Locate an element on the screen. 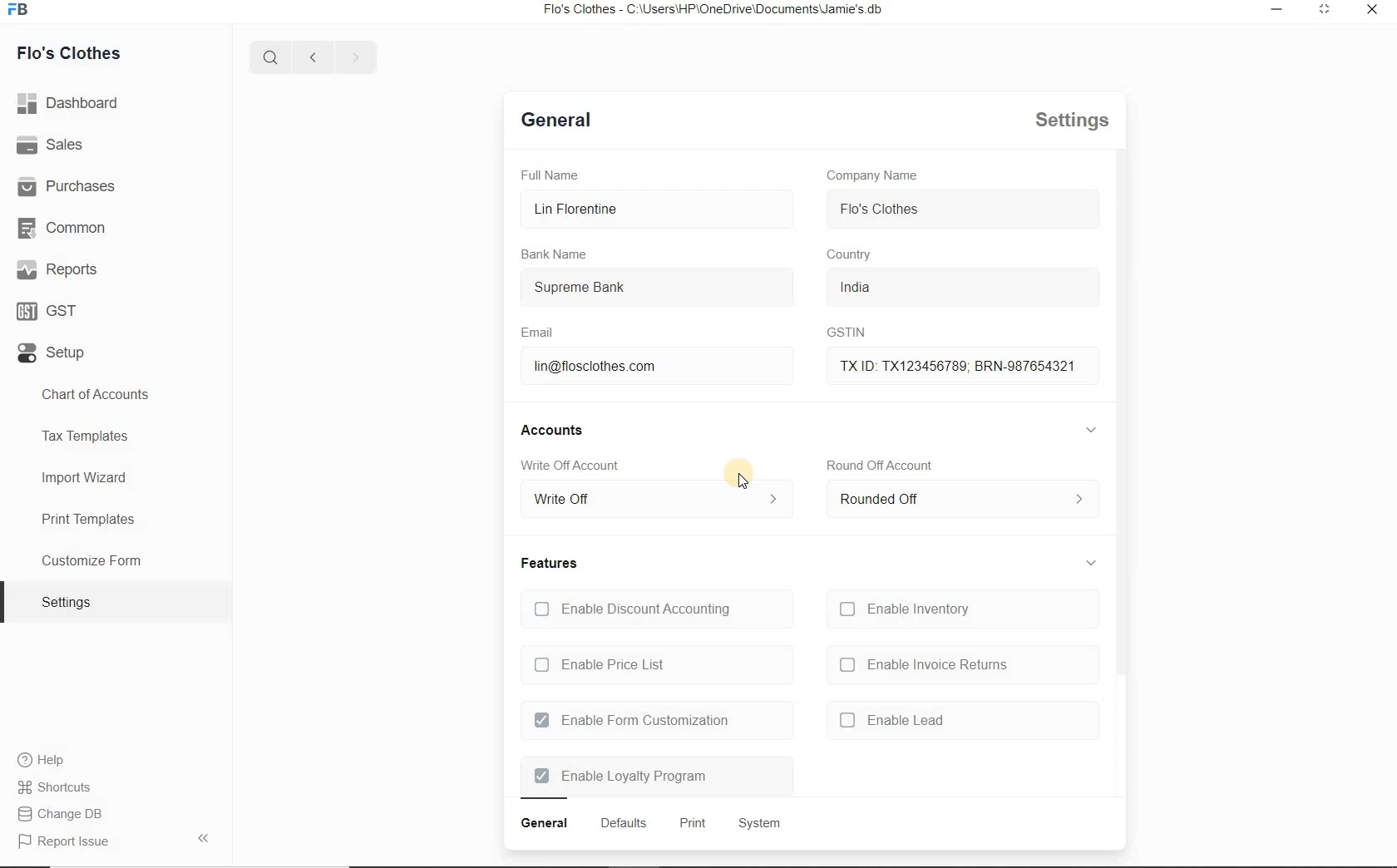 This screenshot has width=1397, height=868. Flo's Clothes - C:\Users\HP'\OneDrive\Documents\Jamie's.db is located at coordinates (711, 9).